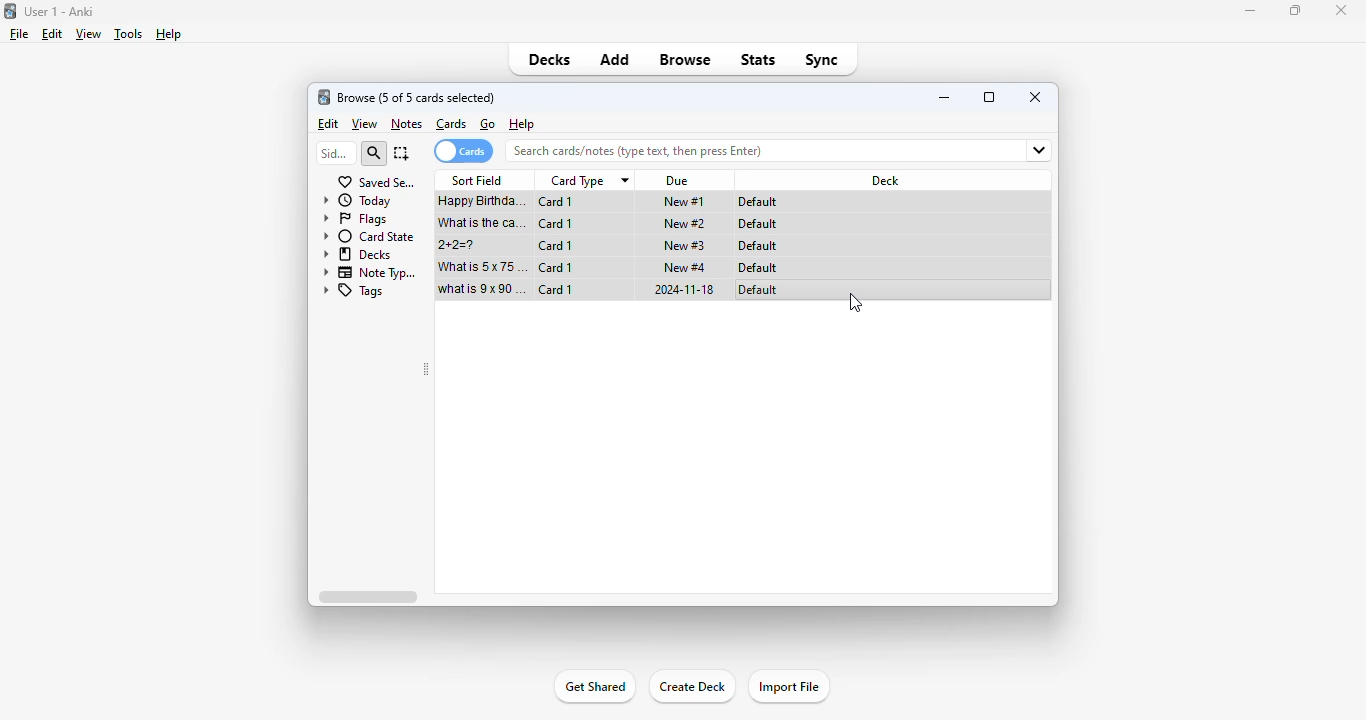 Image resolution: width=1366 pixels, height=720 pixels. Describe the element at coordinates (556, 224) in the screenshot. I see `card 1` at that location.